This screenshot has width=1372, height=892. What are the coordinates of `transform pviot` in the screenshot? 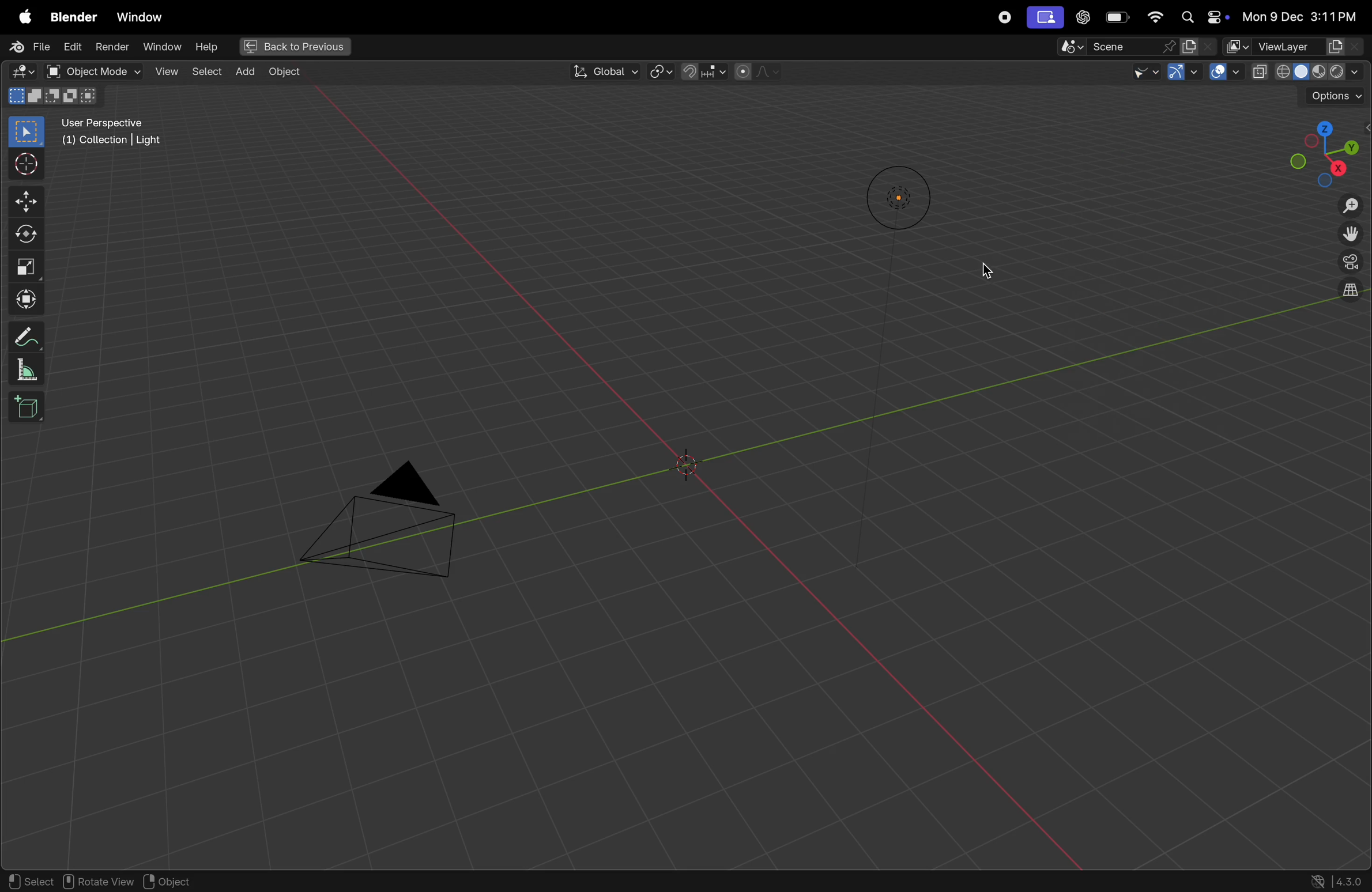 It's located at (661, 71).